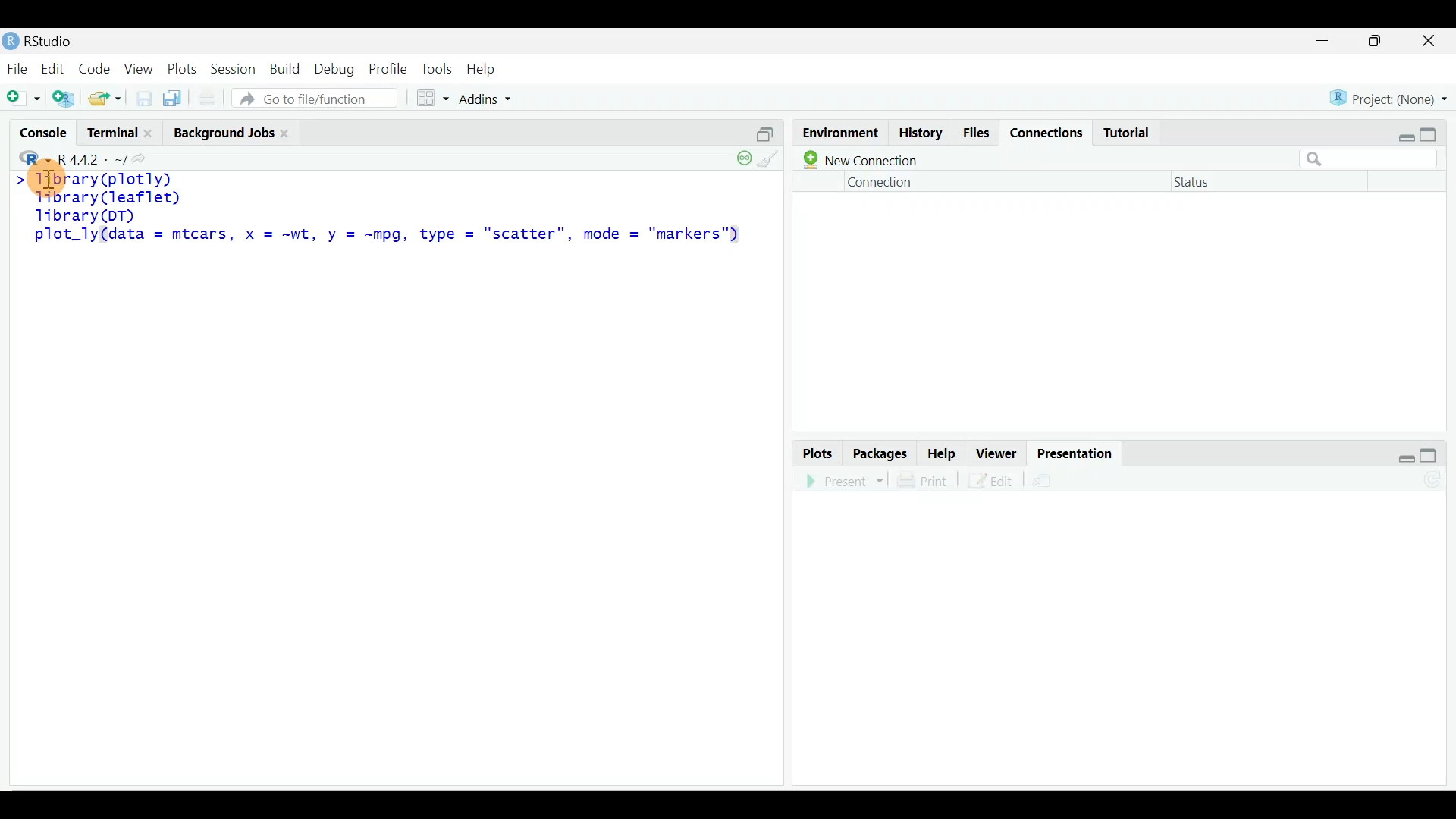 Image resolution: width=1456 pixels, height=819 pixels. I want to click on View, so click(140, 68).